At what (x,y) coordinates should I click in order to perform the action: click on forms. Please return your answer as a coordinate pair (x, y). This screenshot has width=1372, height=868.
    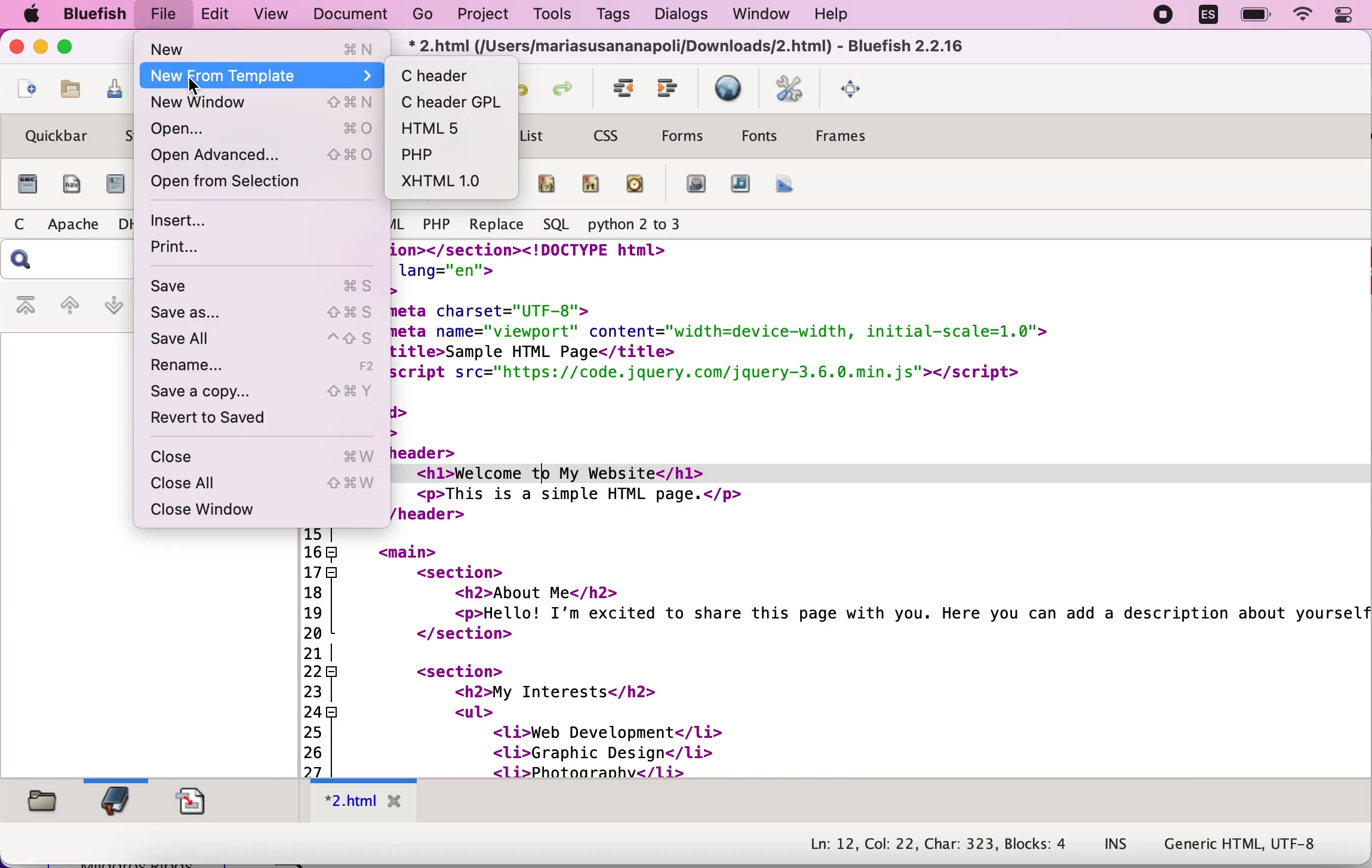
    Looking at the image, I should click on (685, 136).